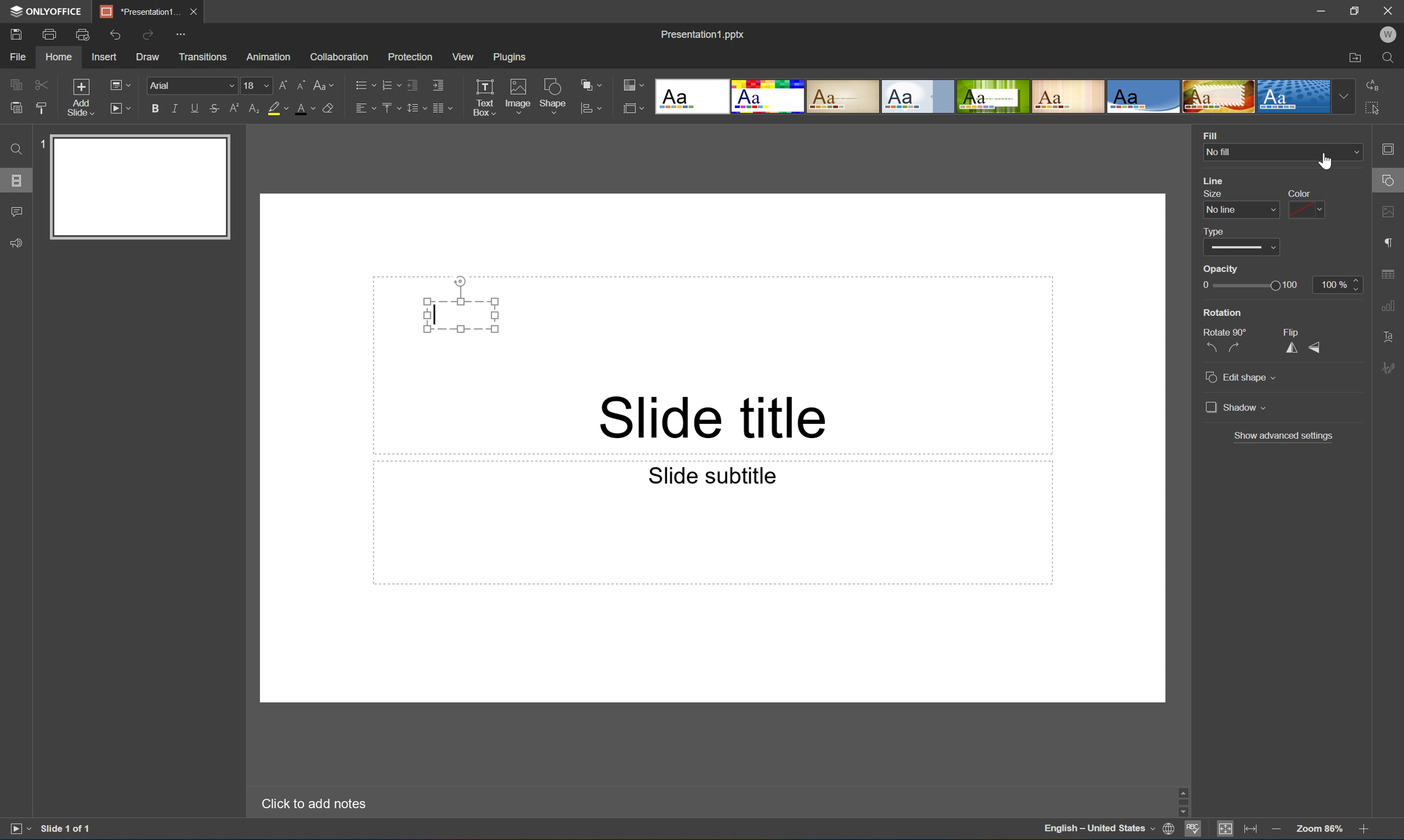  What do you see at coordinates (1216, 232) in the screenshot?
I see `Type` at bounding box center [1216, 232].